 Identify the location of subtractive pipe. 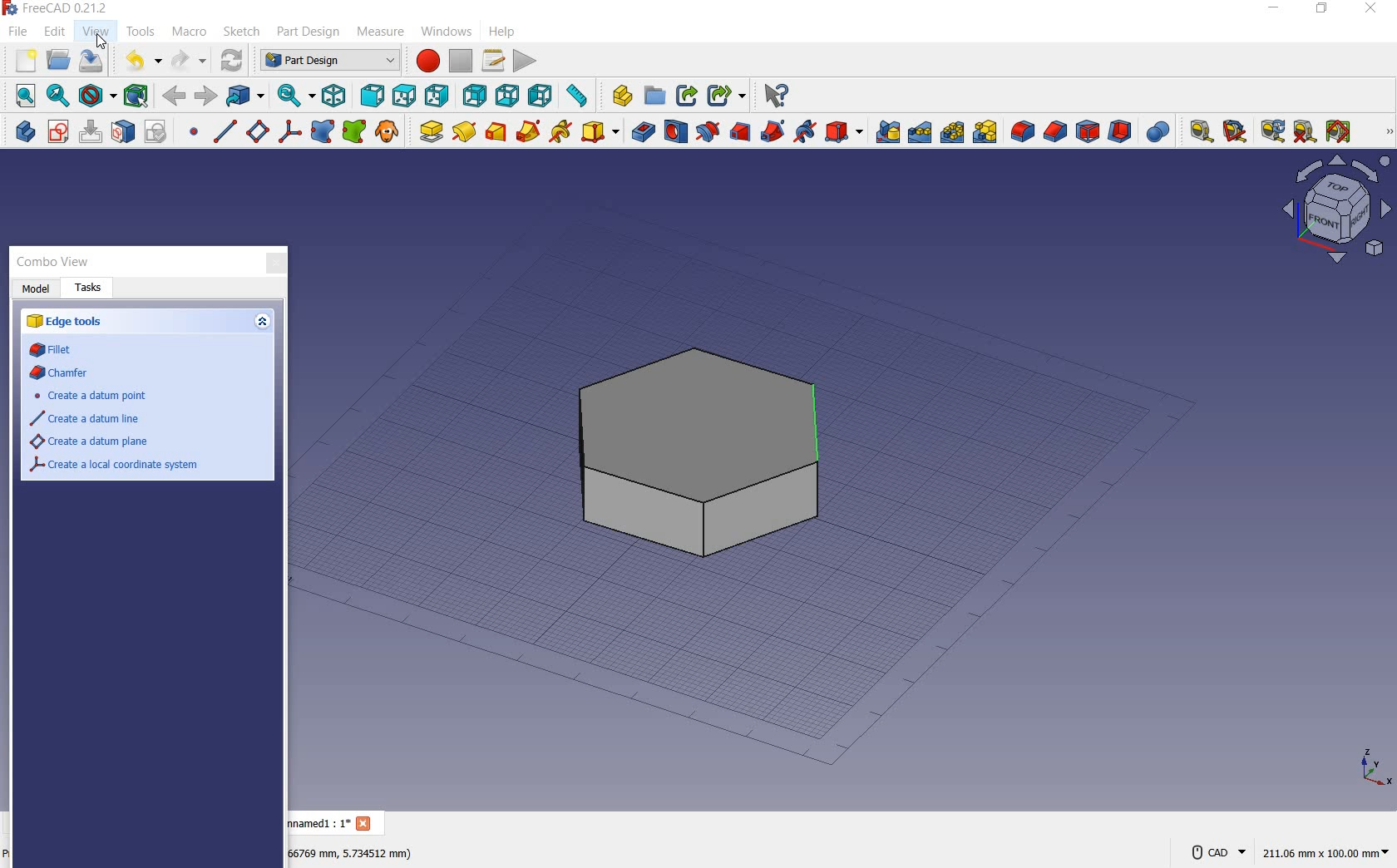
(773, 132).